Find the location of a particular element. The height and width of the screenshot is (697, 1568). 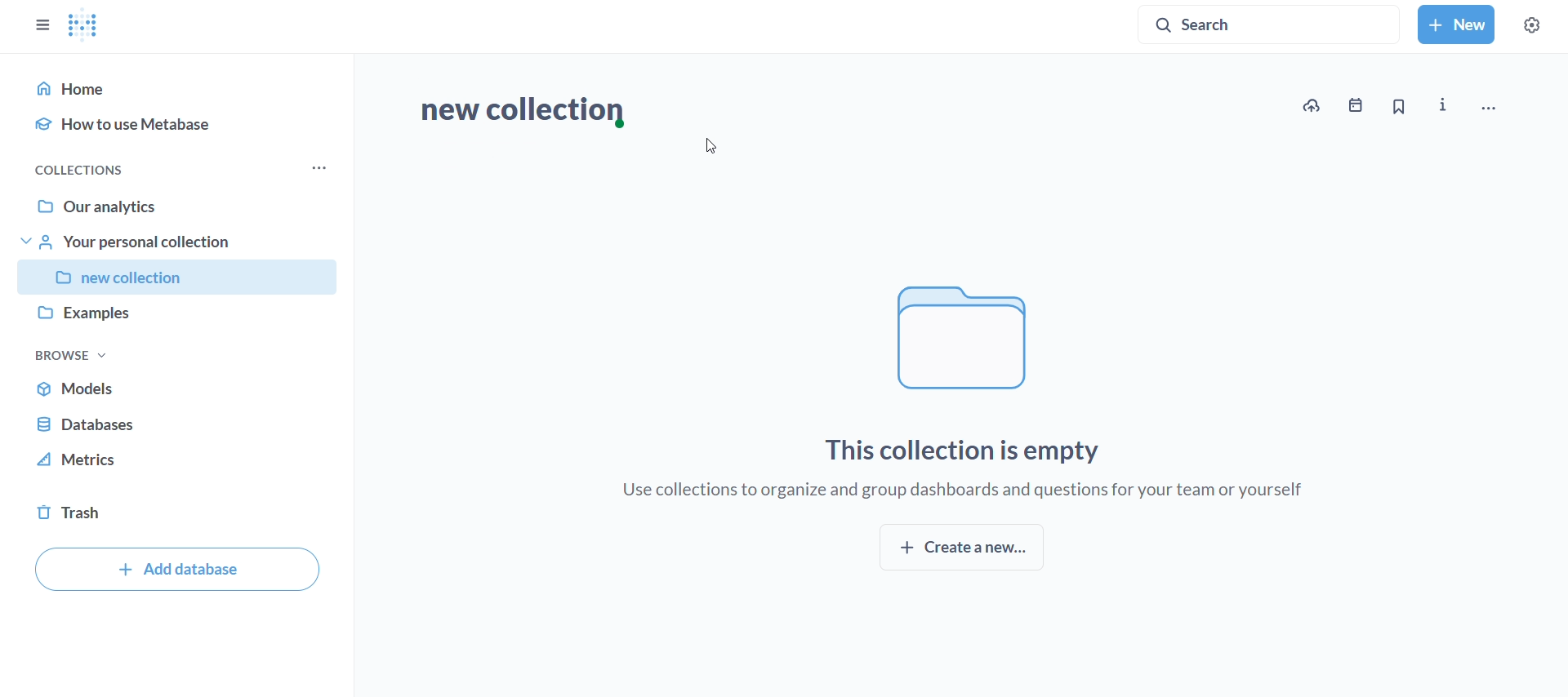

bookmark is located at coordinates (1399, 108).